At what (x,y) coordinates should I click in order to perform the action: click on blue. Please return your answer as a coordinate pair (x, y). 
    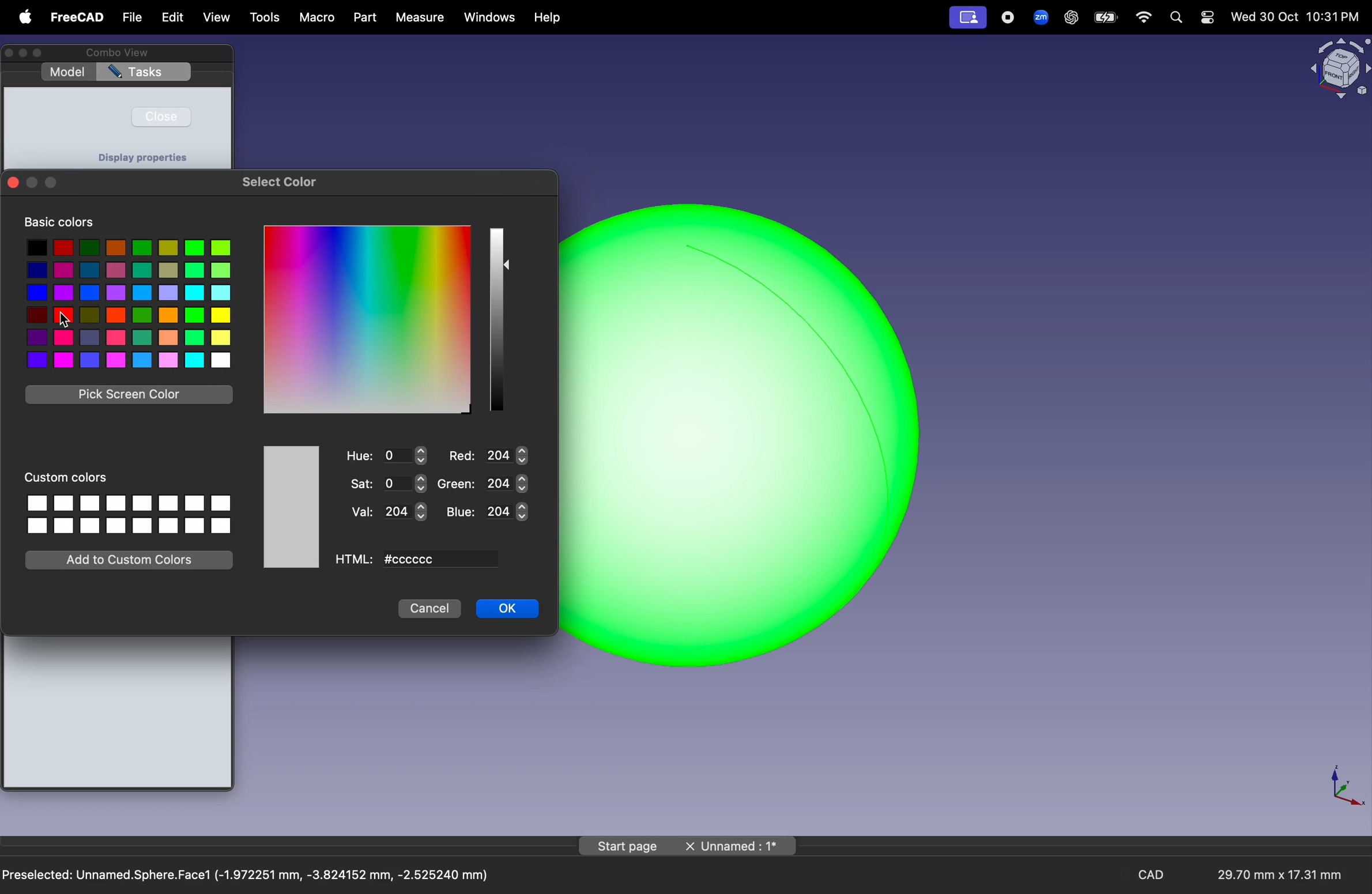
    Looking at the image, I should click on (488, 511).